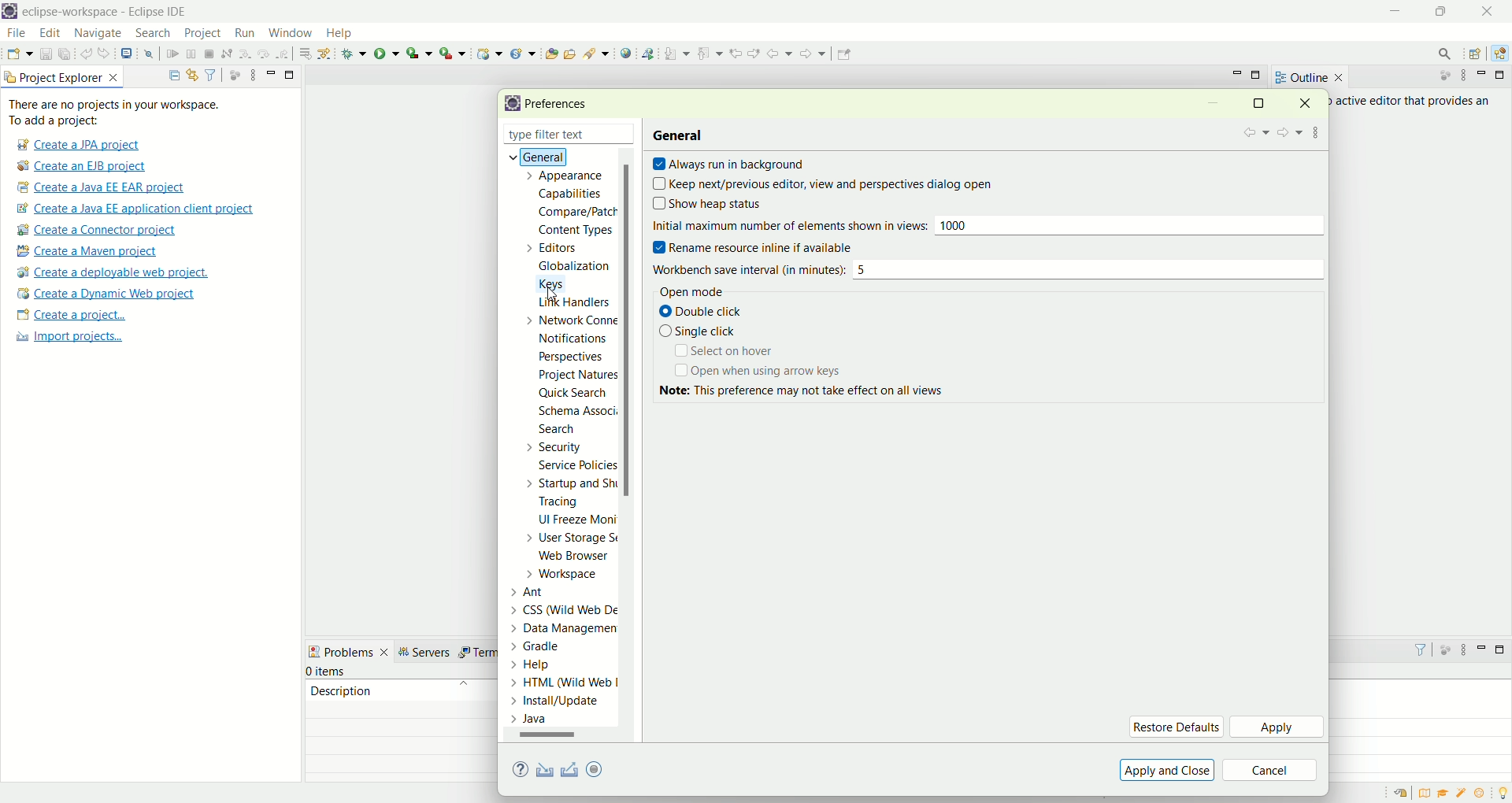 This screenshot has width=1512, height=803. What do you see at coordinates (428, 652) in the screenshot?
I see `servers` at bounding box center [428, 652].